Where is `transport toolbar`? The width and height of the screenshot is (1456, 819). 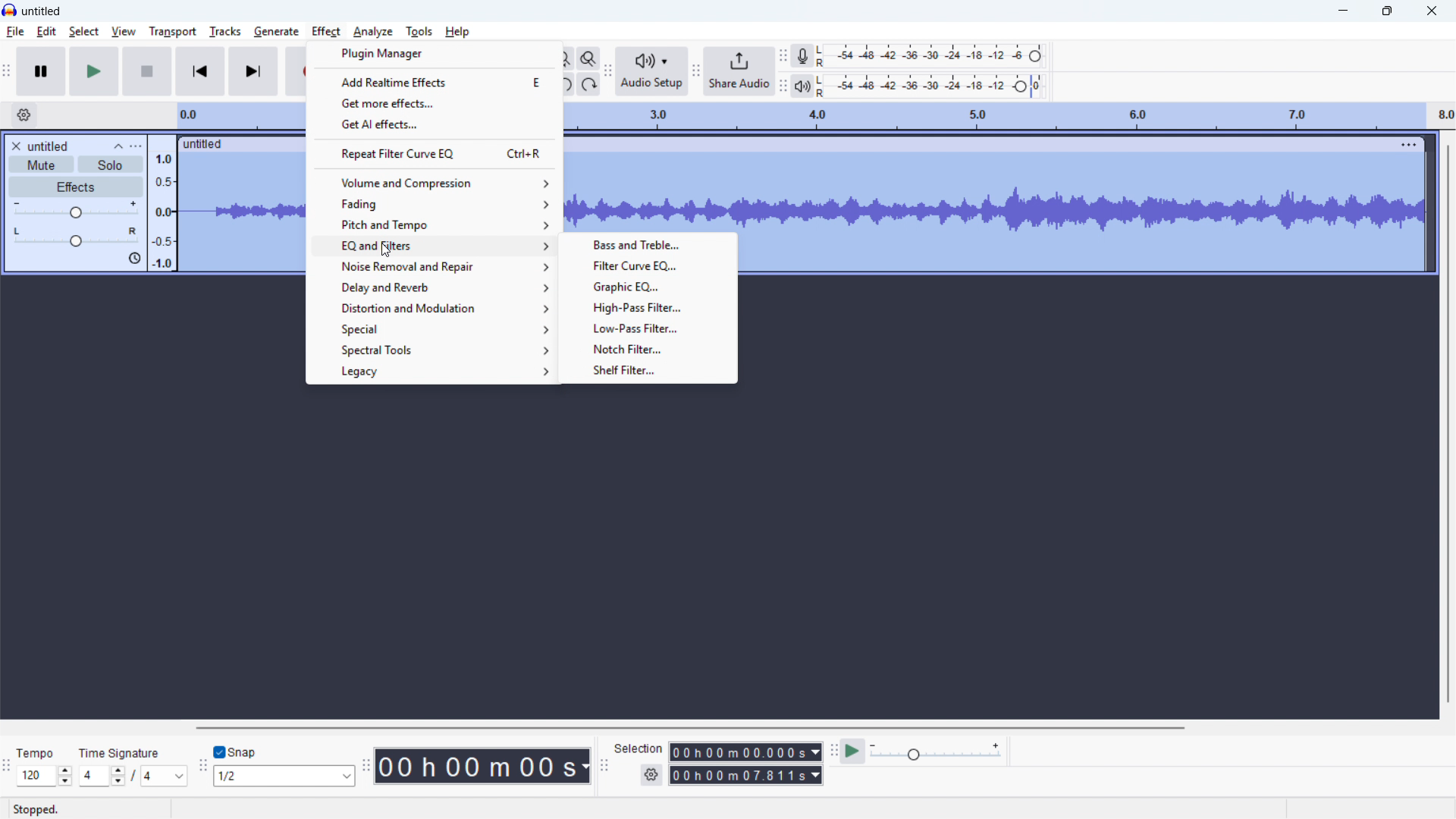
transport toolbar is located at coordinates (7, 74).